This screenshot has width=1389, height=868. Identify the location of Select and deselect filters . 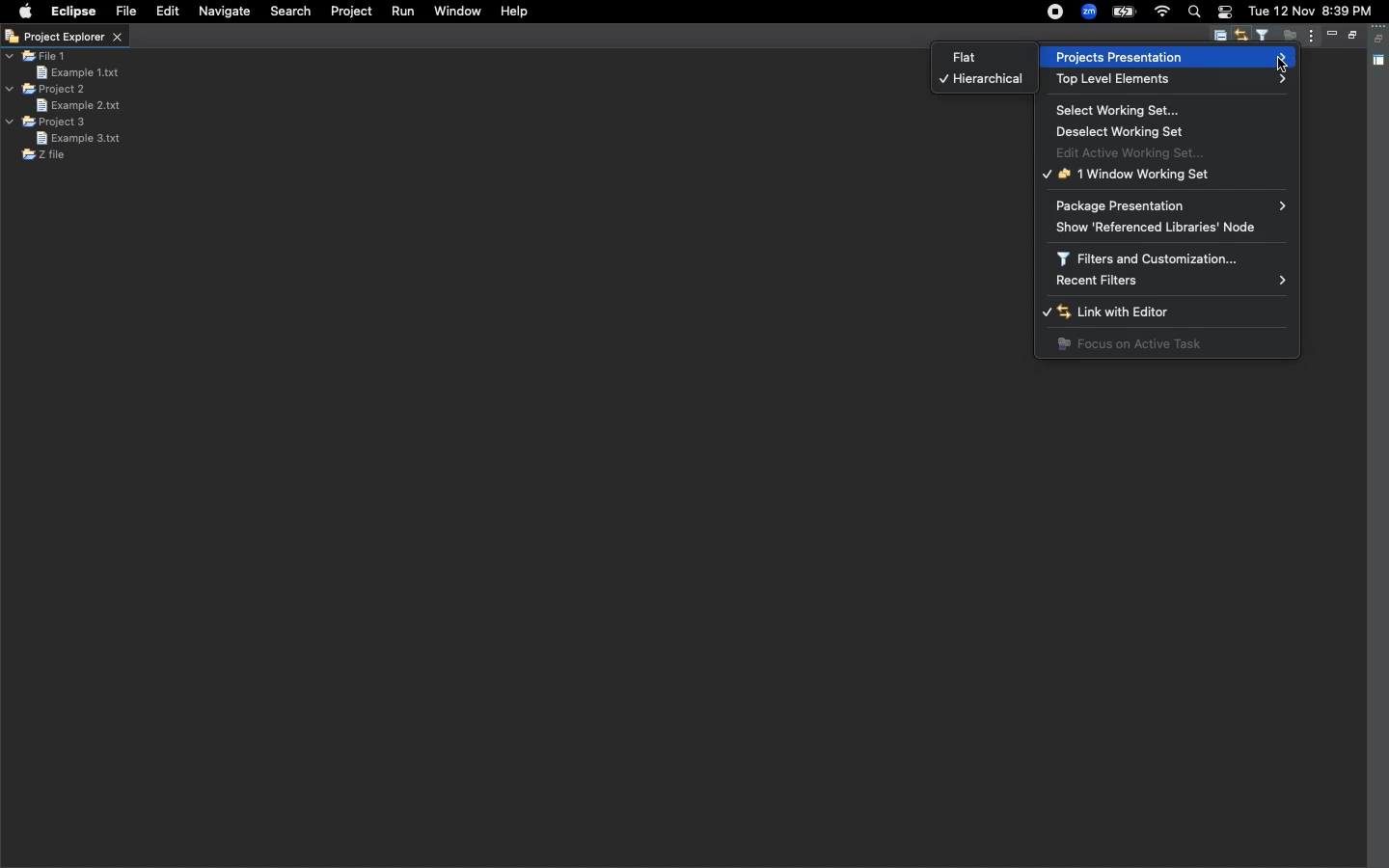
(1266, 36).